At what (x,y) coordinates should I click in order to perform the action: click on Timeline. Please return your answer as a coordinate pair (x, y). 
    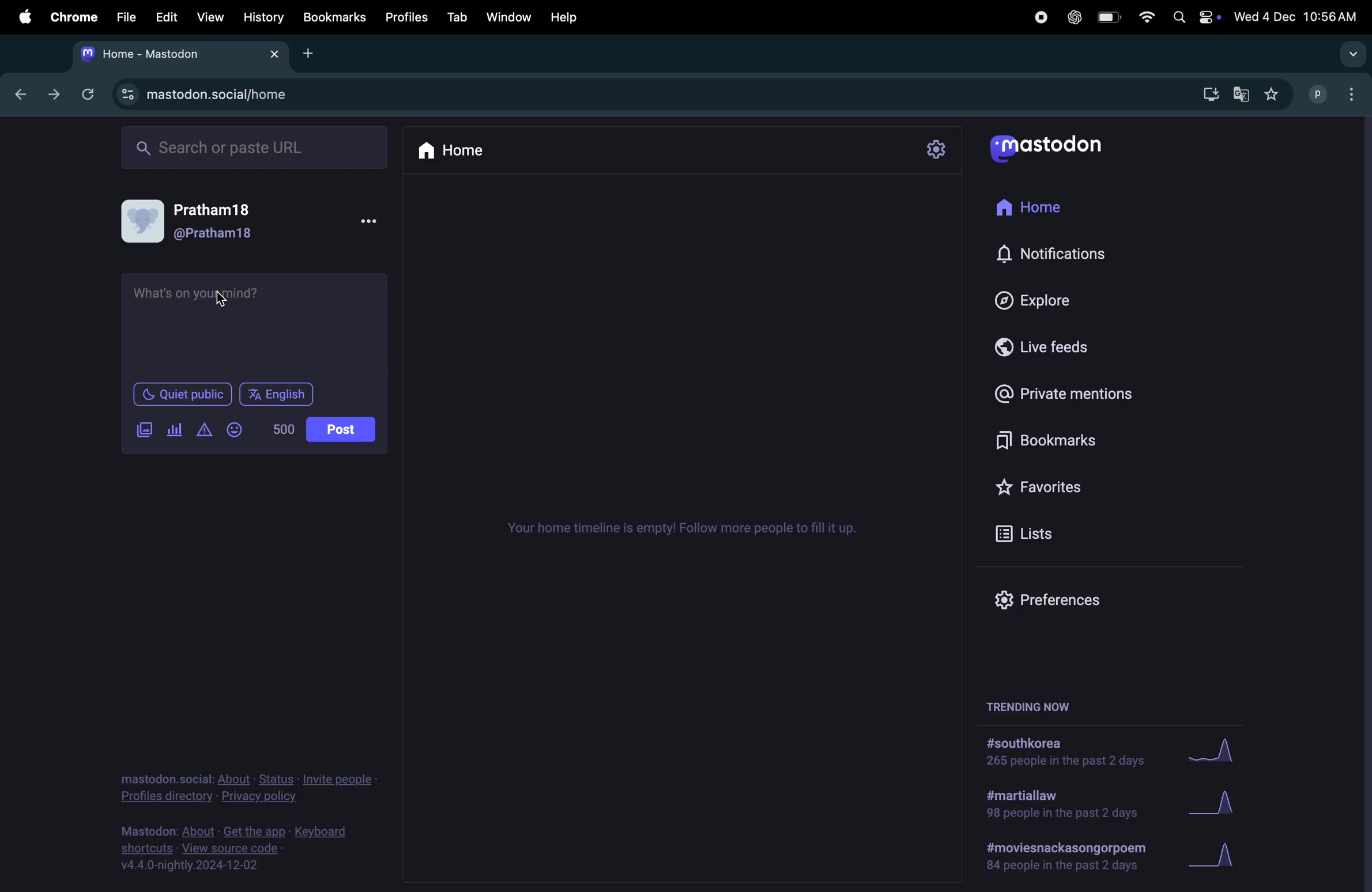
    Looking at the image, I should click on (687, 530).